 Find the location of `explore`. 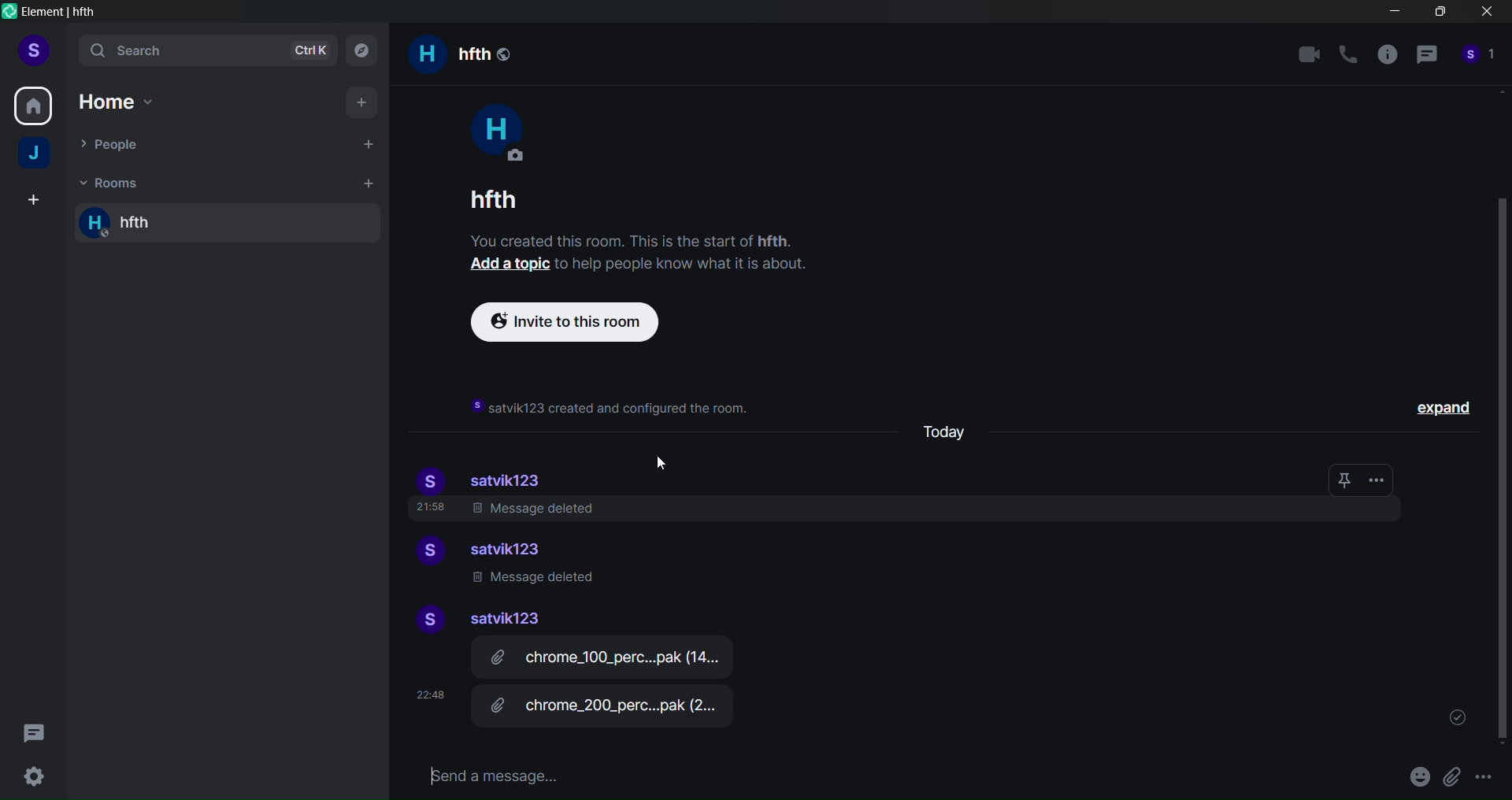

explore is located at coordinates (366, 50).